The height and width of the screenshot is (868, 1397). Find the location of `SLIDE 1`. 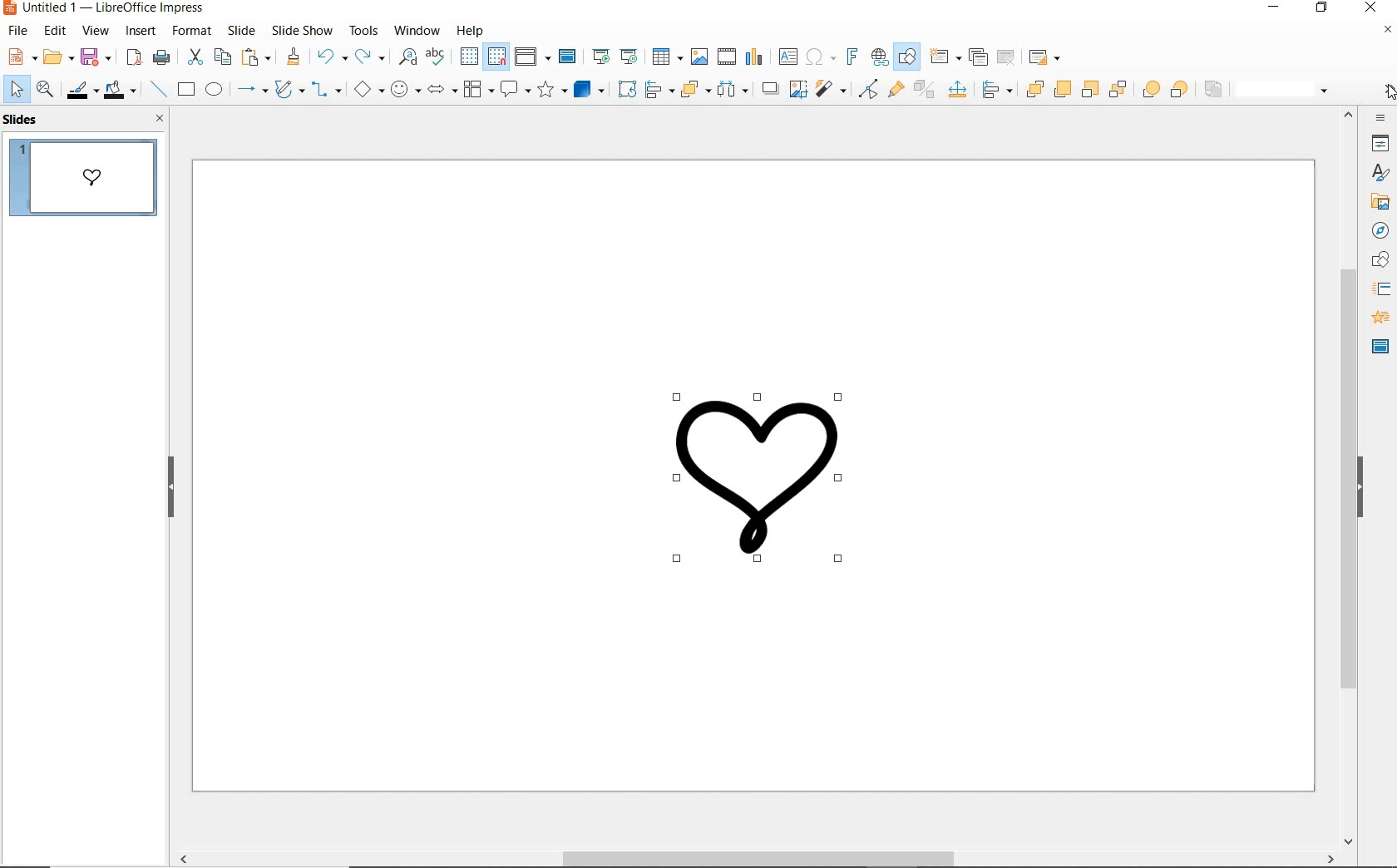

SLIDE 1 is located at coordinates (88, 180).